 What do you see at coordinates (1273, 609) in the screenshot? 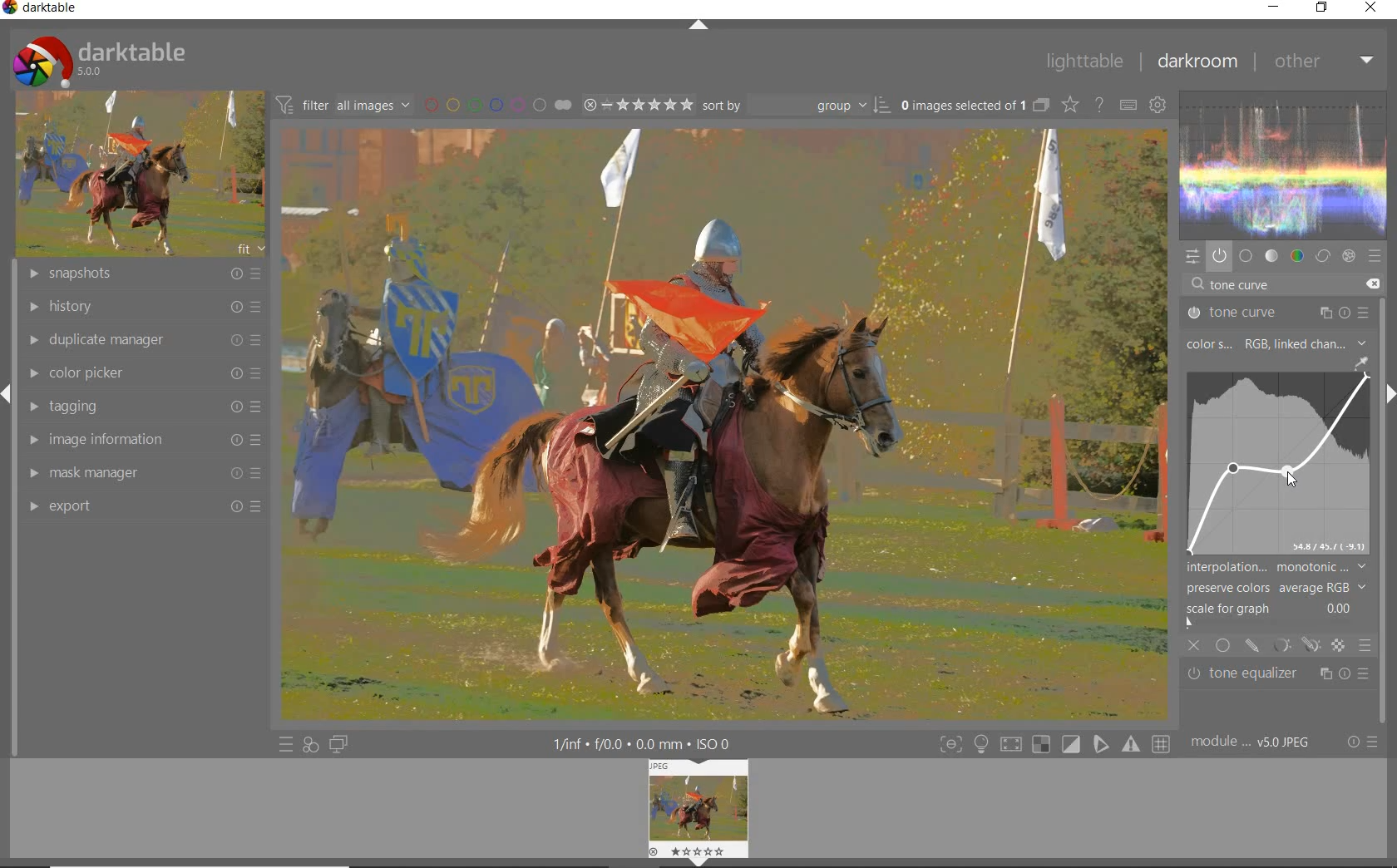
I see `scale for graph` at bounding box center [1273, 609].